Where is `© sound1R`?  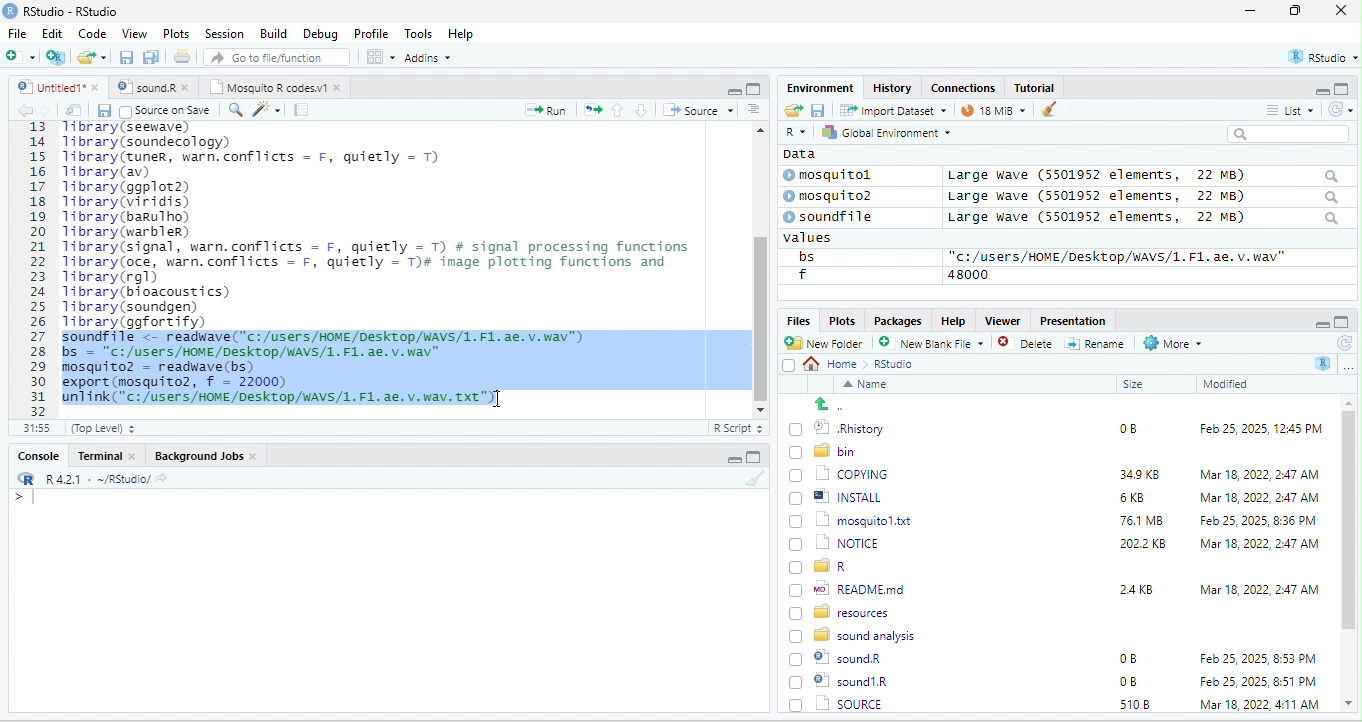
© sound1R is located at coordinates (842, 660).